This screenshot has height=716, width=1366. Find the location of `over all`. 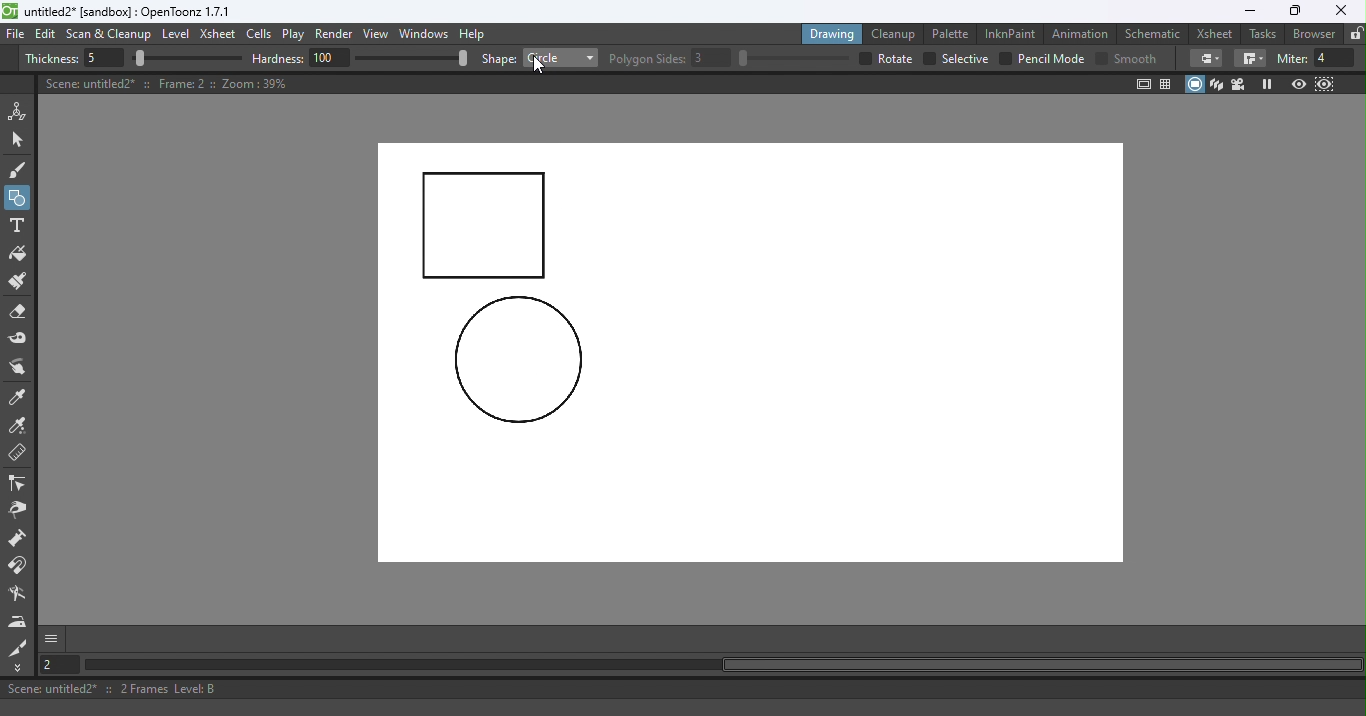

over all is located at coordinates (897, 58).